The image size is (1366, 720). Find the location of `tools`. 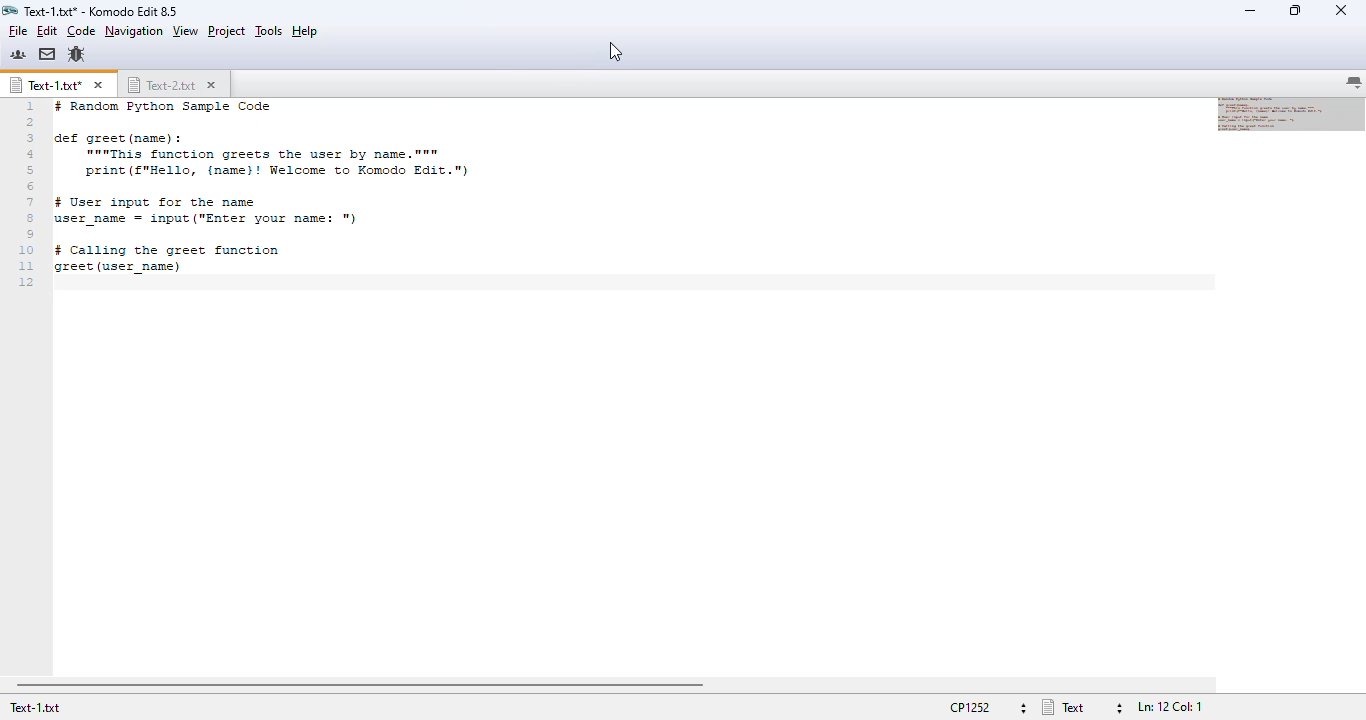

tools is located at coordinates (269, 31).